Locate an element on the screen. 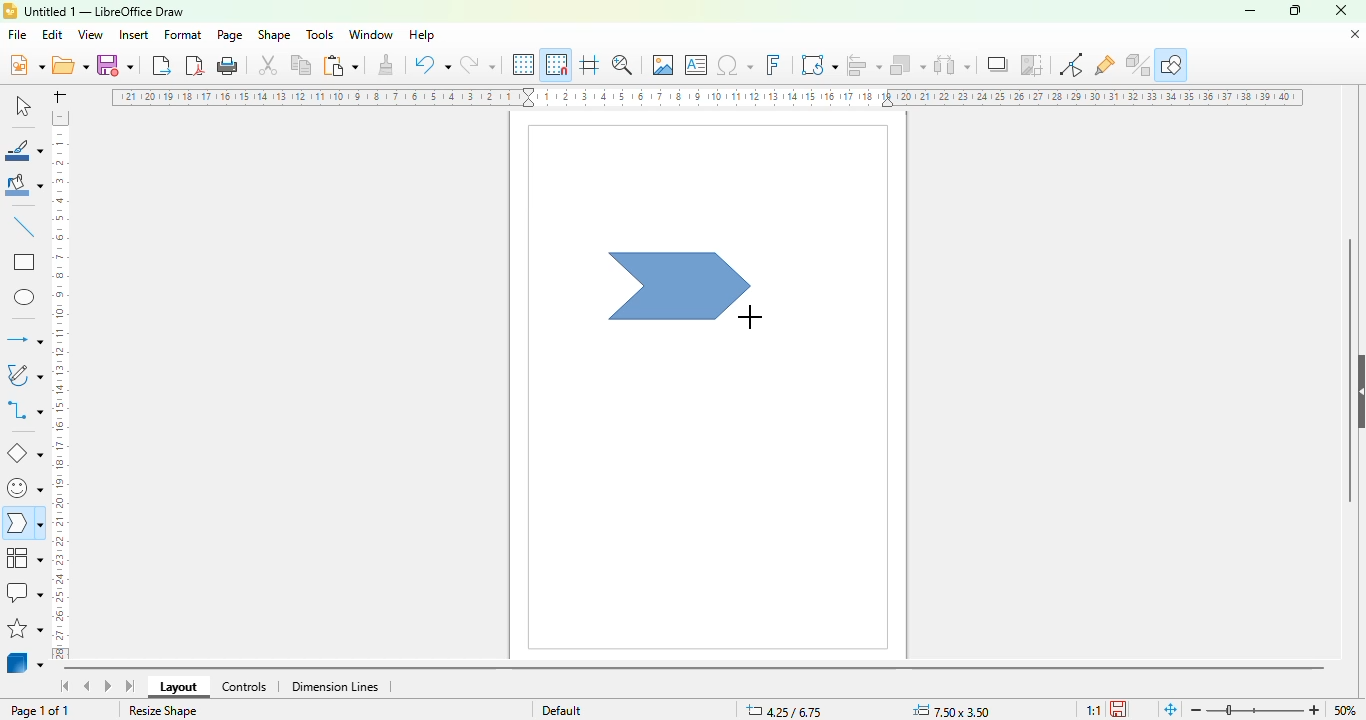 Image resolution: width=1366 pixels, height=720 pixels. select is located at coordinates (22, 105).